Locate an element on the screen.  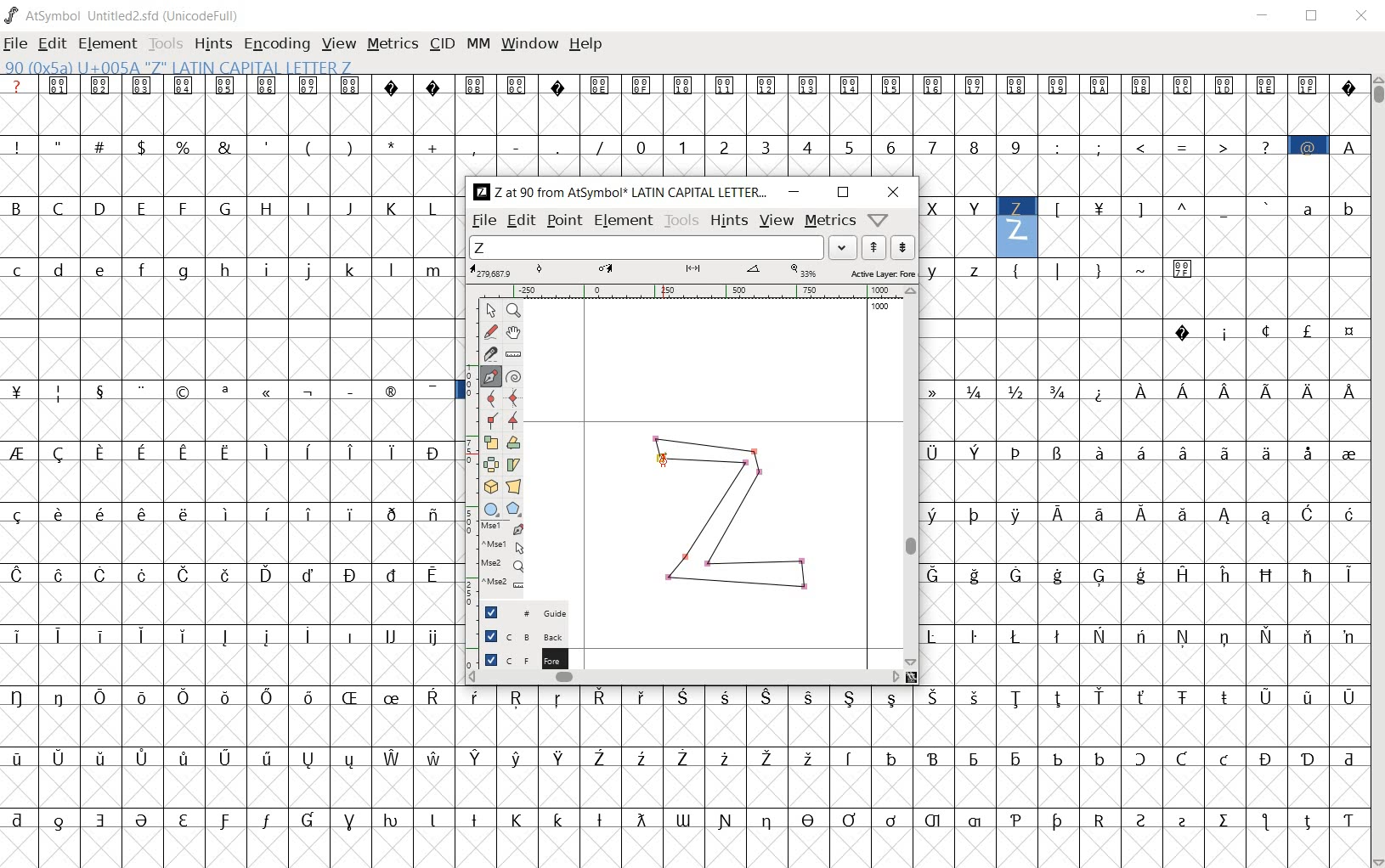
MAGNIFY is located at coordinates (513, 311).